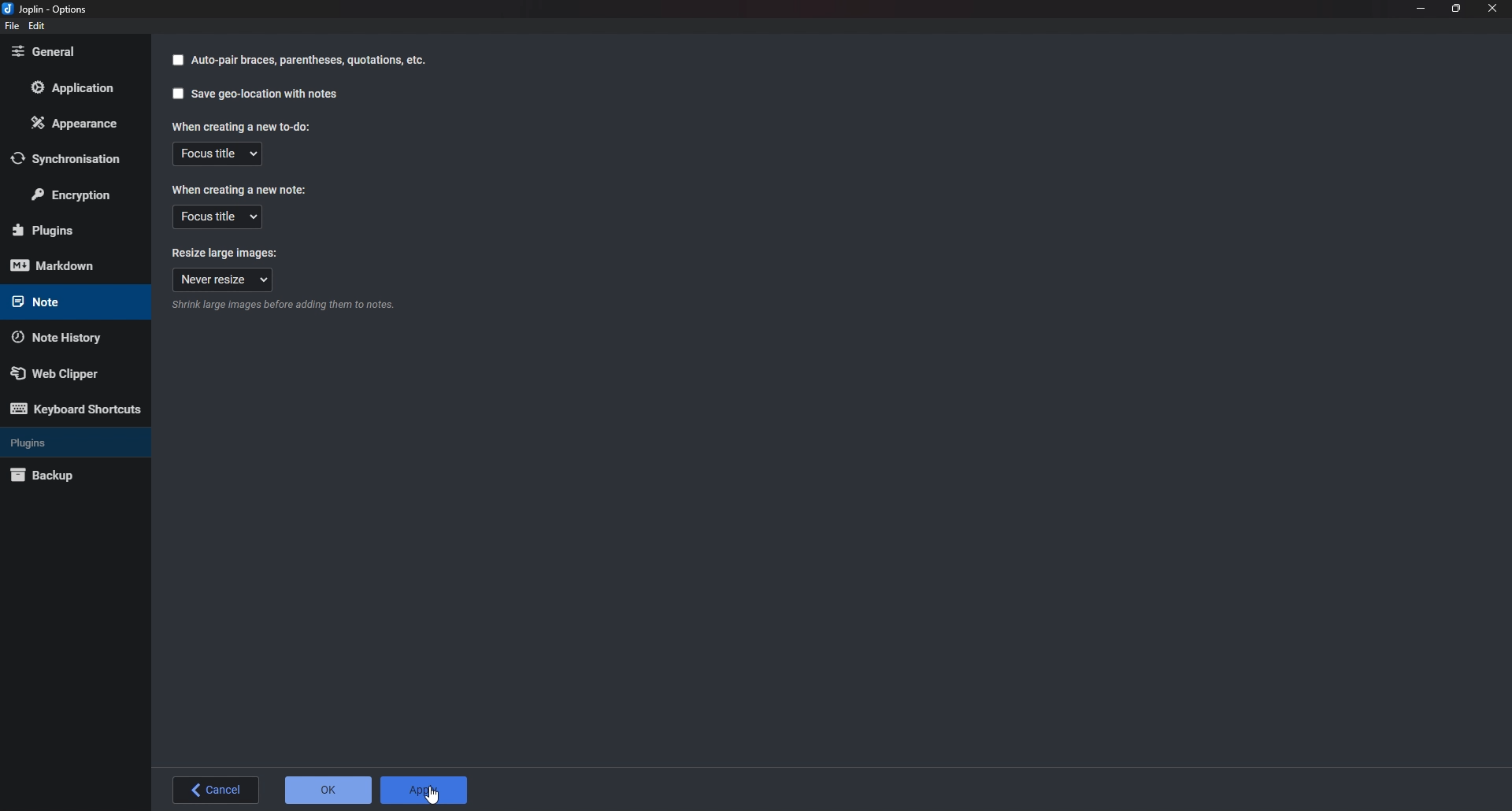  I want to click on Back up, so click(69, 474).